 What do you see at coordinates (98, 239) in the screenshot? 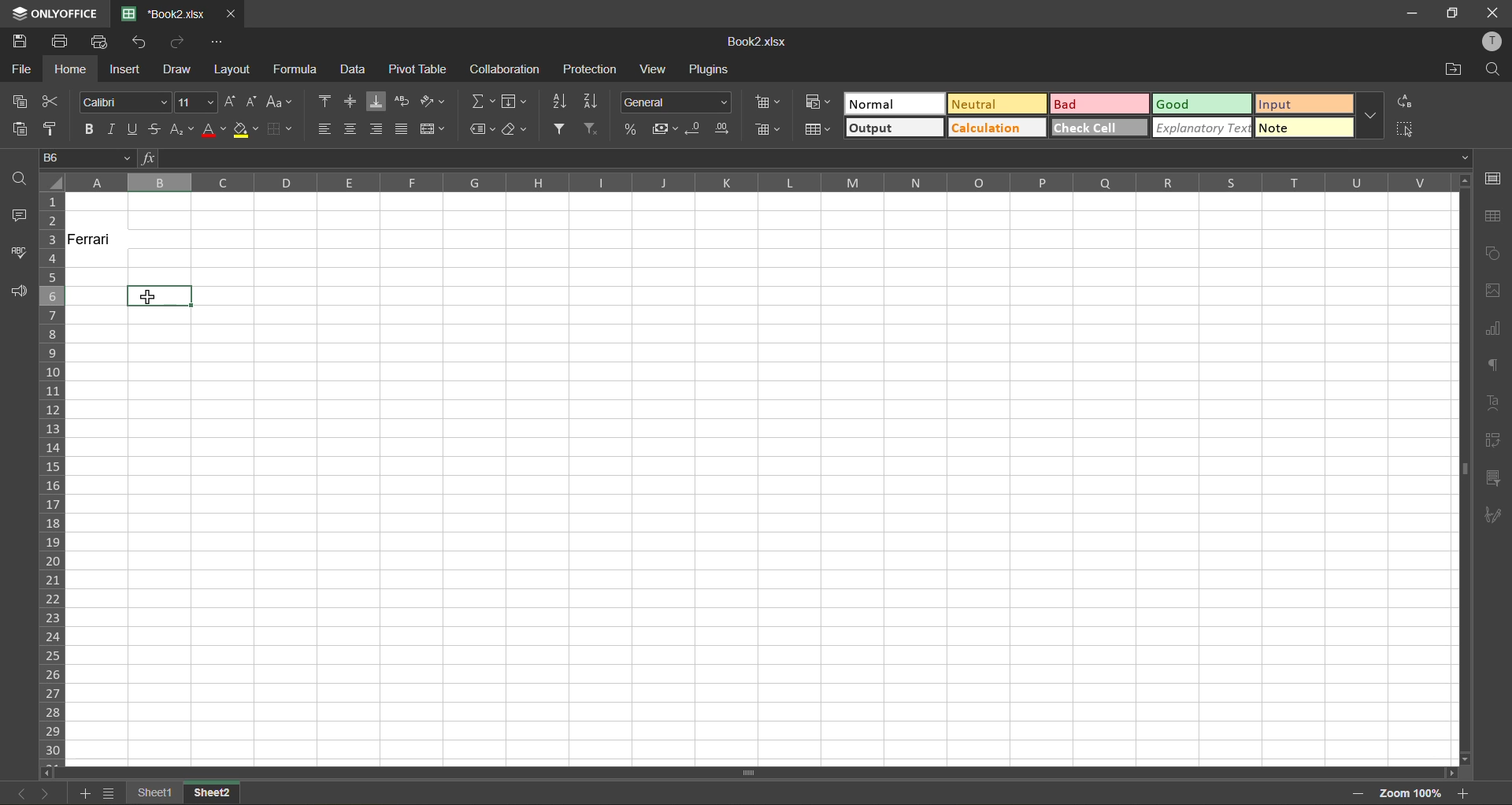
I see `Ferrari` at bounding box center [98, 239].